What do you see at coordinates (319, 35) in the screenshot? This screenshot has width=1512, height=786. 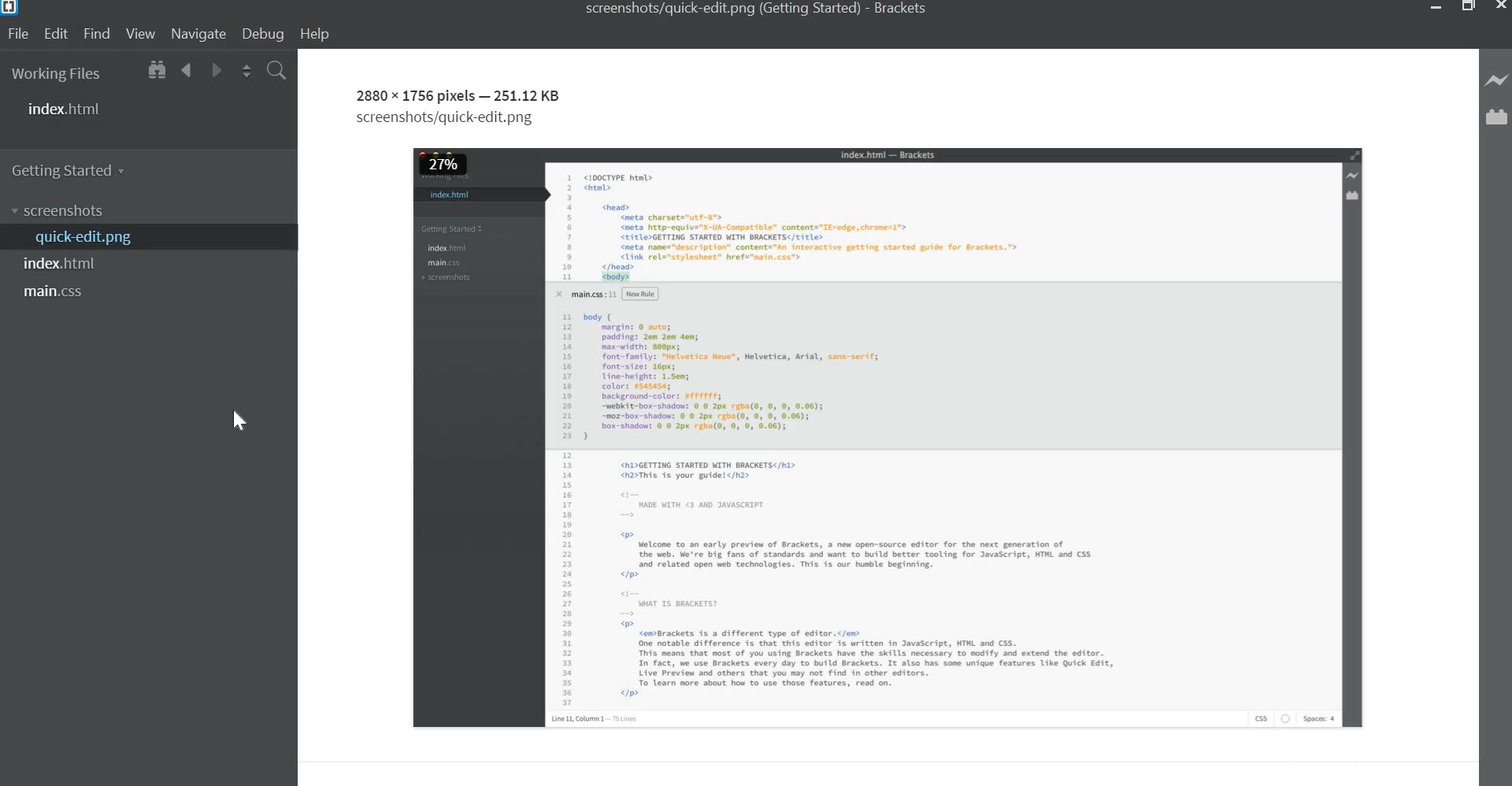 I see `help` at bounding box center [319, 35].